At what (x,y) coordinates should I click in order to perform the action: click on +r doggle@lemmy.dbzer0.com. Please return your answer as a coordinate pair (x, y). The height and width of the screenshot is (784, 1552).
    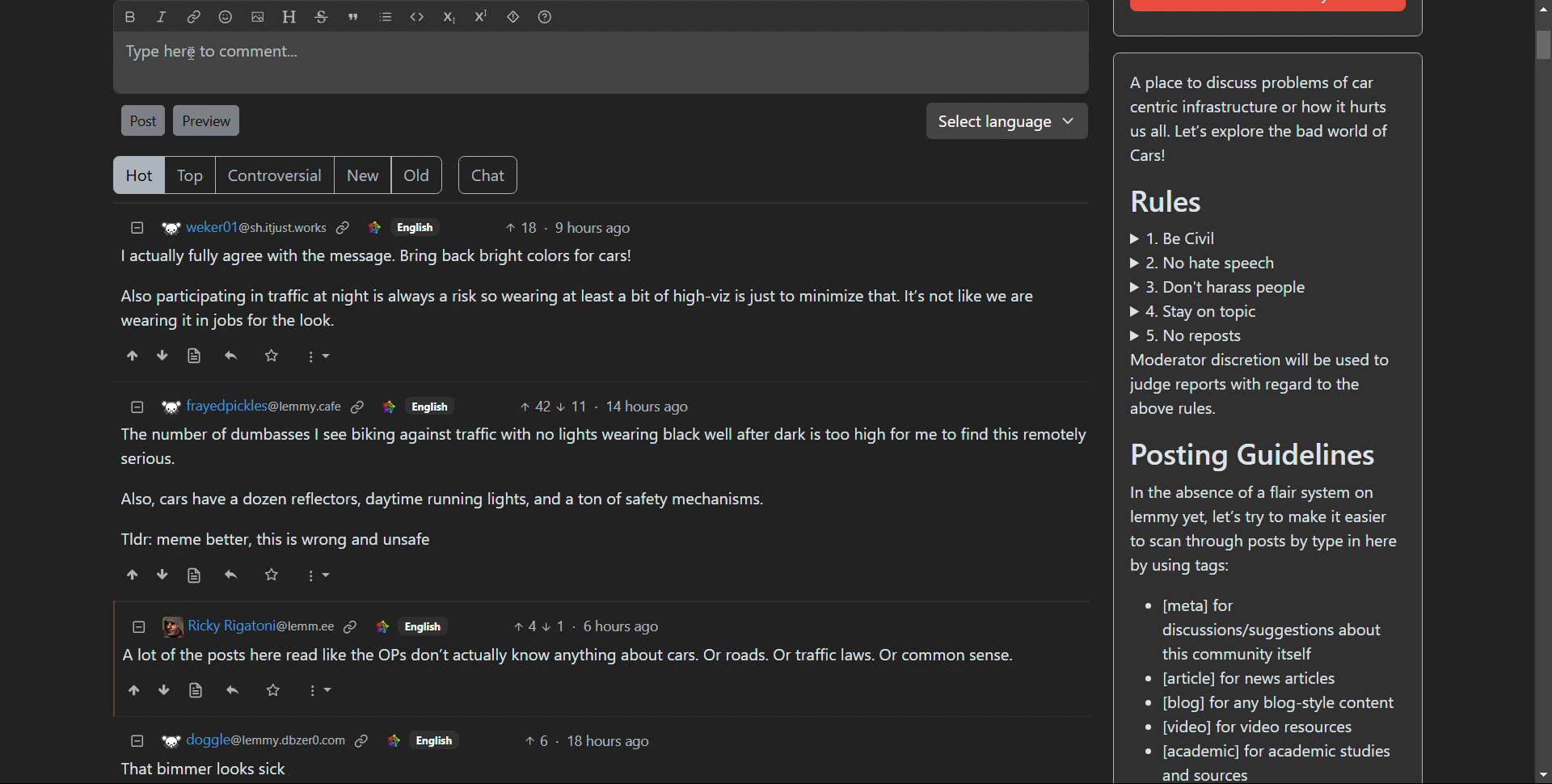
    Looking at the image, I should click on (252, 739).